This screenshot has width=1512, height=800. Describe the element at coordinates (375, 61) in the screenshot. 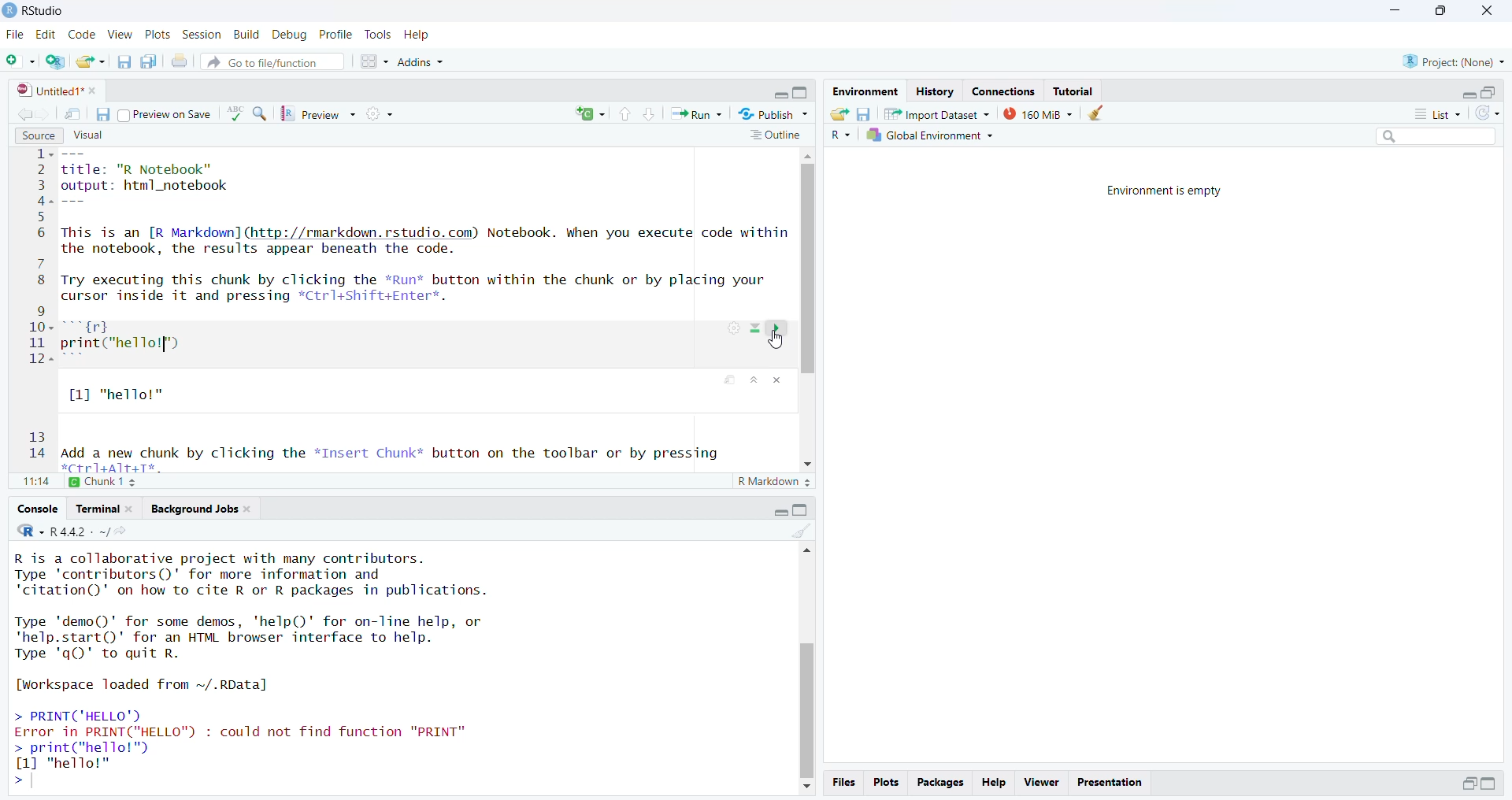

I see `workspace panes` at that location.